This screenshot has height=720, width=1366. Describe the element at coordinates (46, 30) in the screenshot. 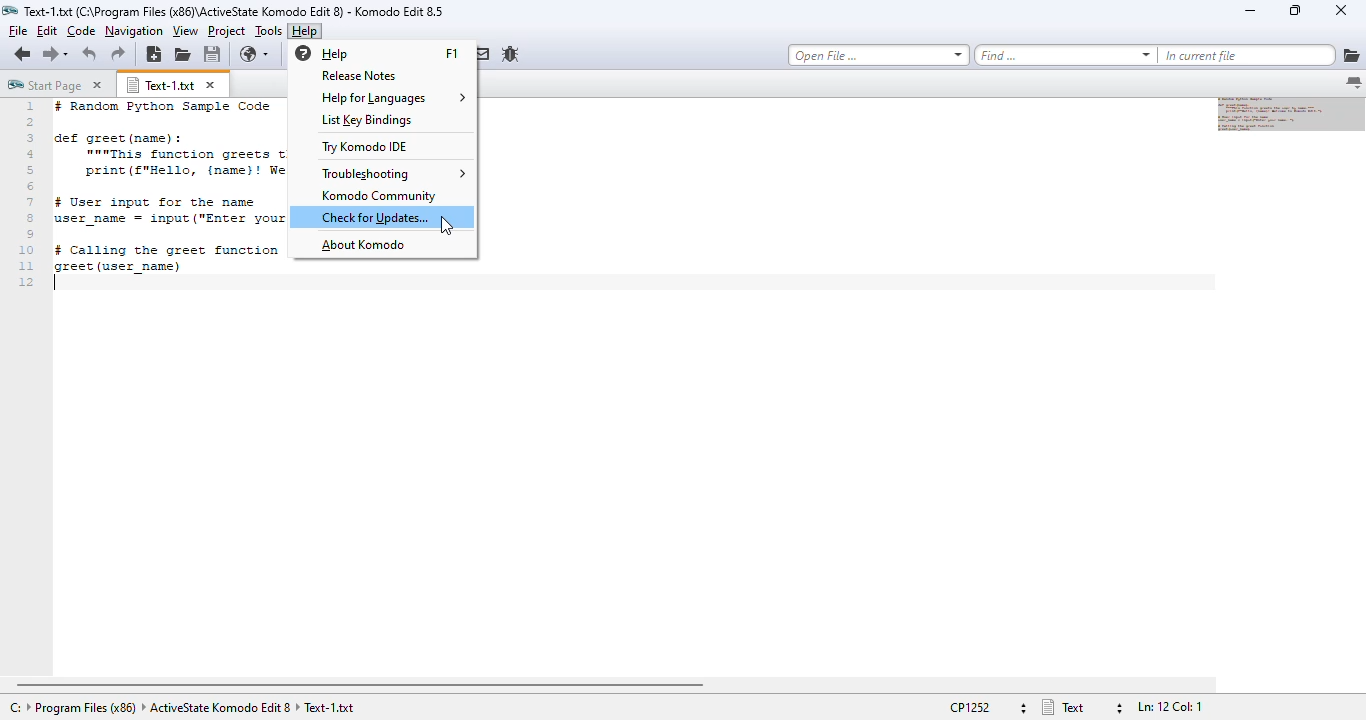

I see `edit` at that location.